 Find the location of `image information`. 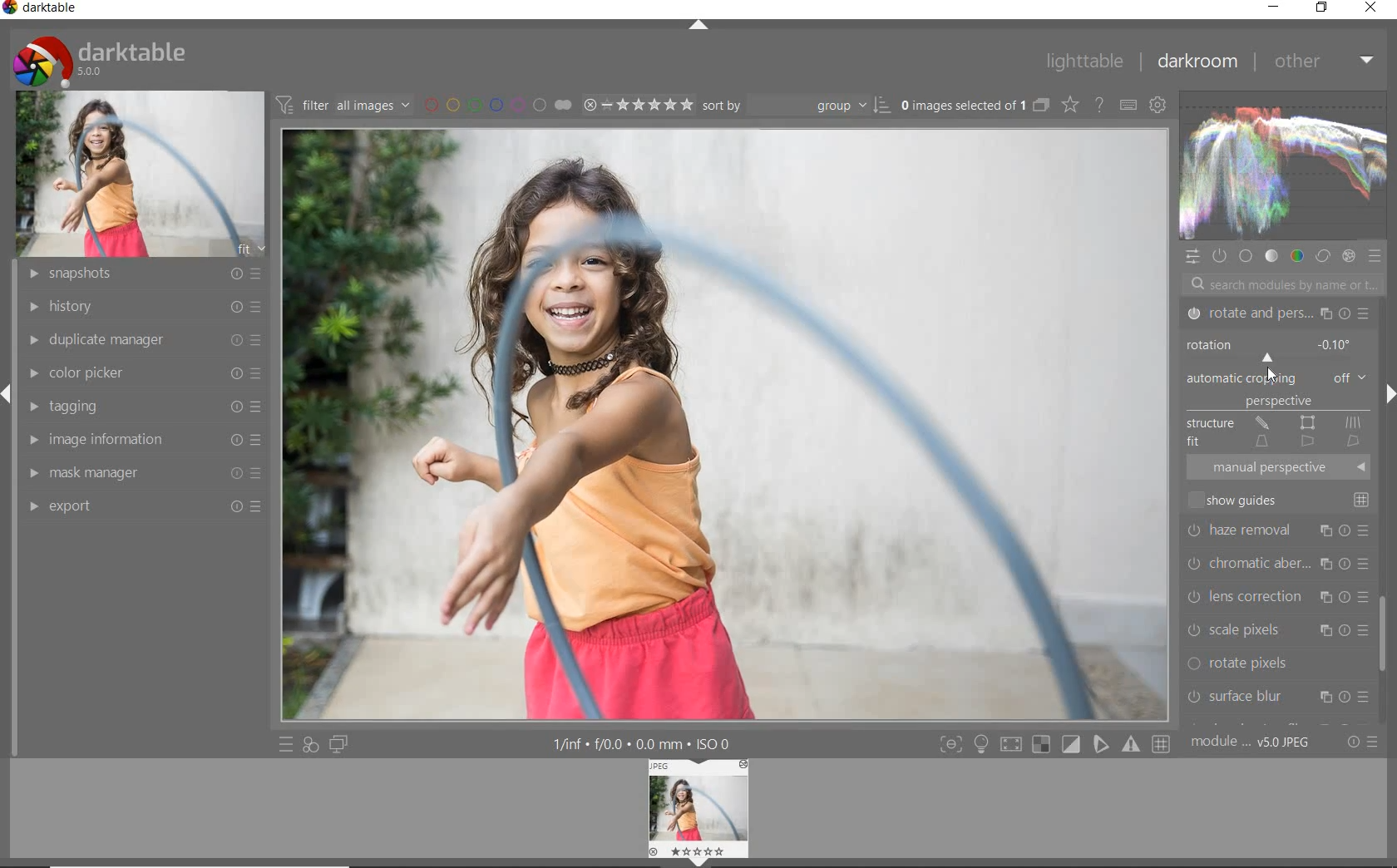

image information is located at coordinates (143, 441).